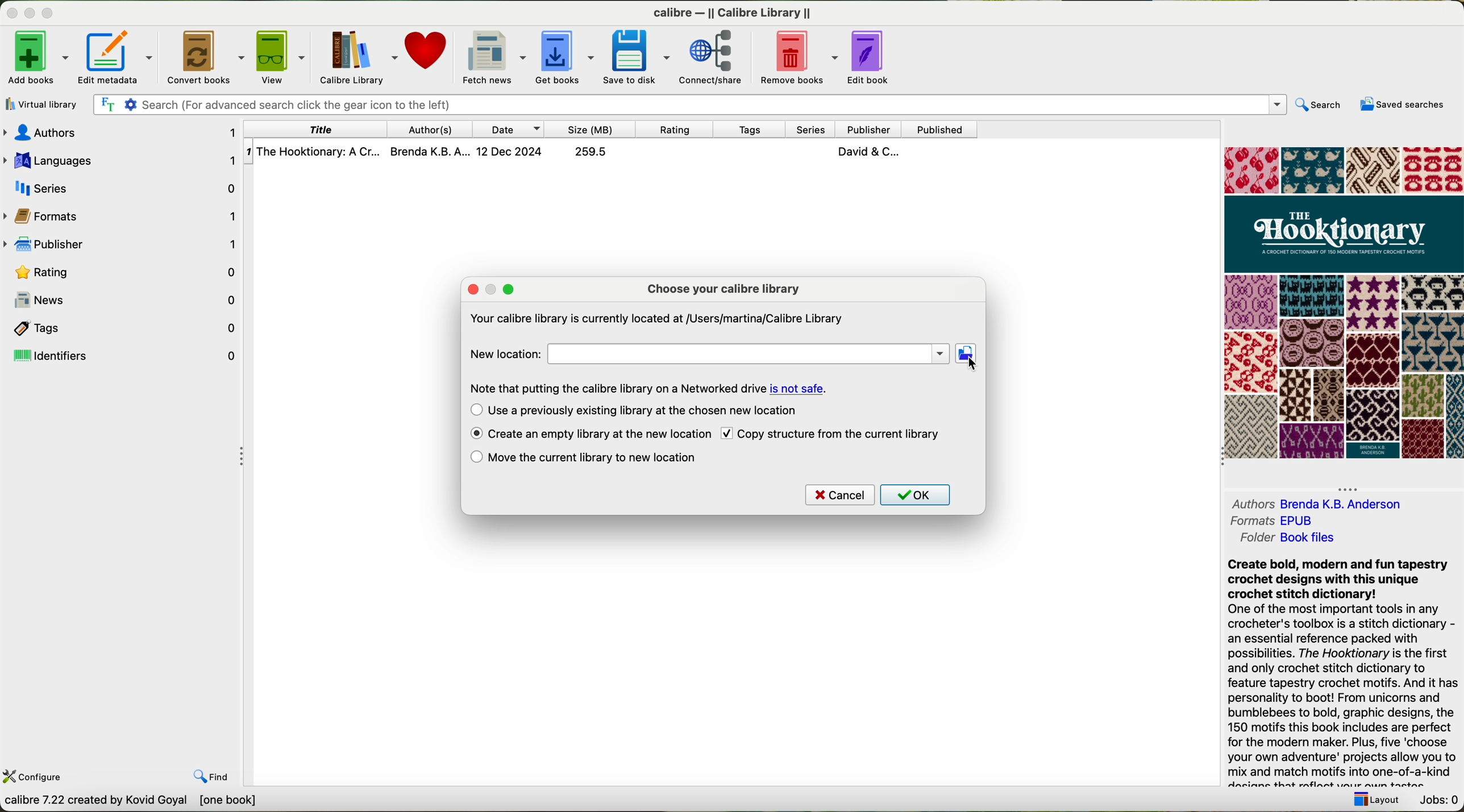 This screenshot has height=812, width=1464. What do you see at coordinates (1401, 105) in the screenshot?
I see `saved searches` at bounding box center [1401, 105].